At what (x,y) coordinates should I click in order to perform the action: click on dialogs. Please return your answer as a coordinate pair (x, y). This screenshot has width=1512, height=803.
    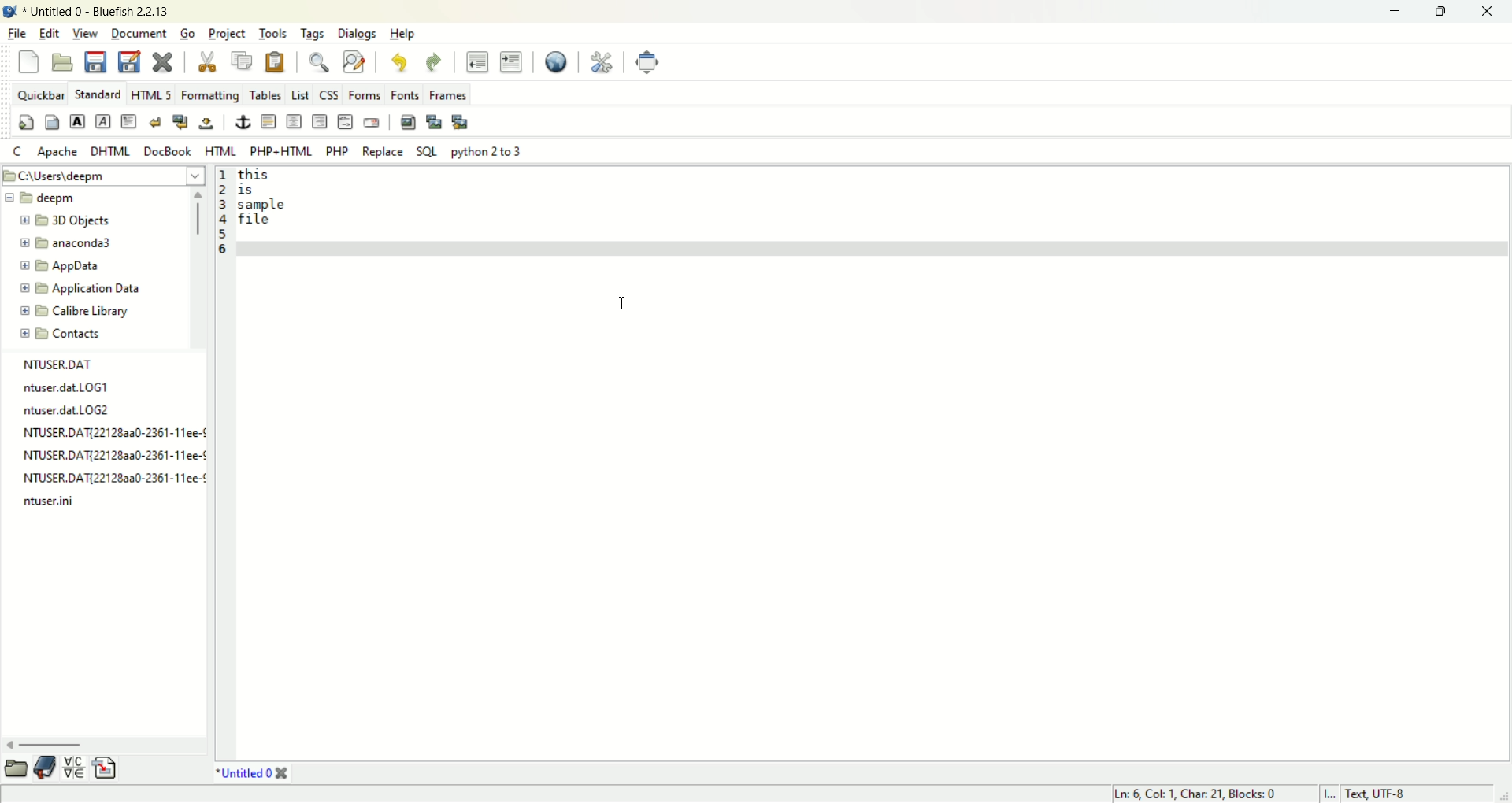
    Looking at the image, I should click on (358, 33).